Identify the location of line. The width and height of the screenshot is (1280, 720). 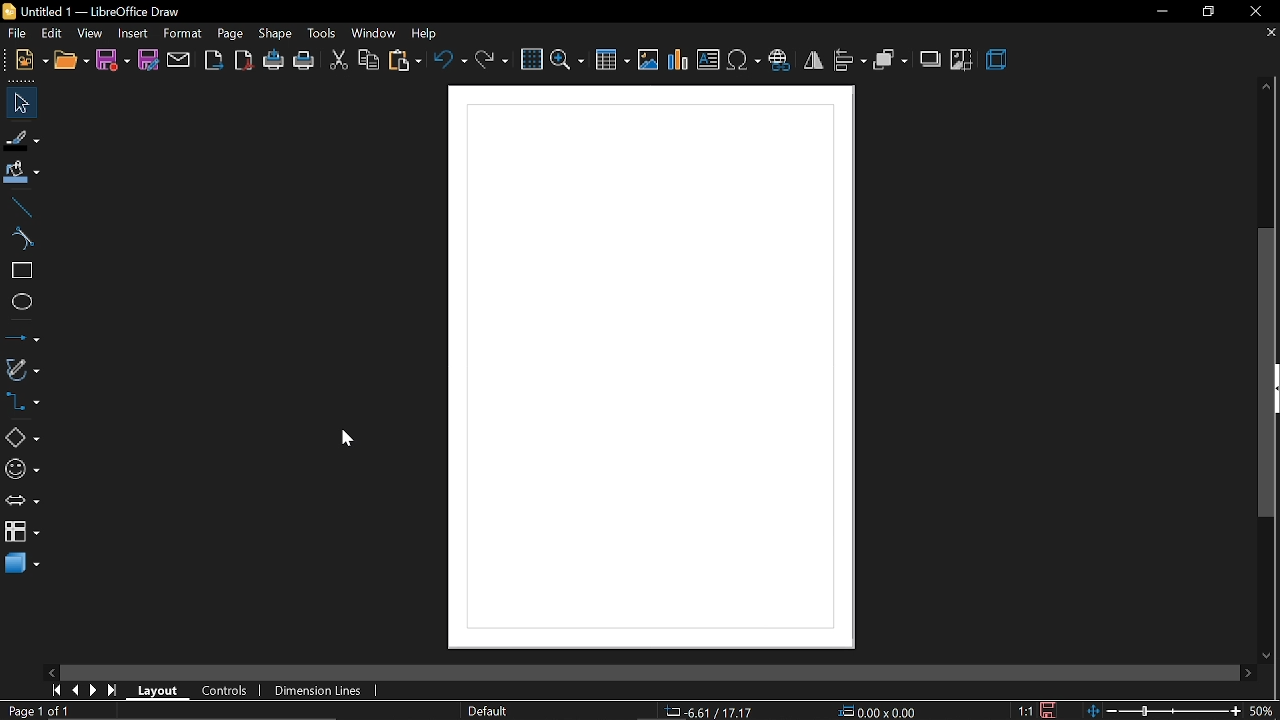
(21, 208).